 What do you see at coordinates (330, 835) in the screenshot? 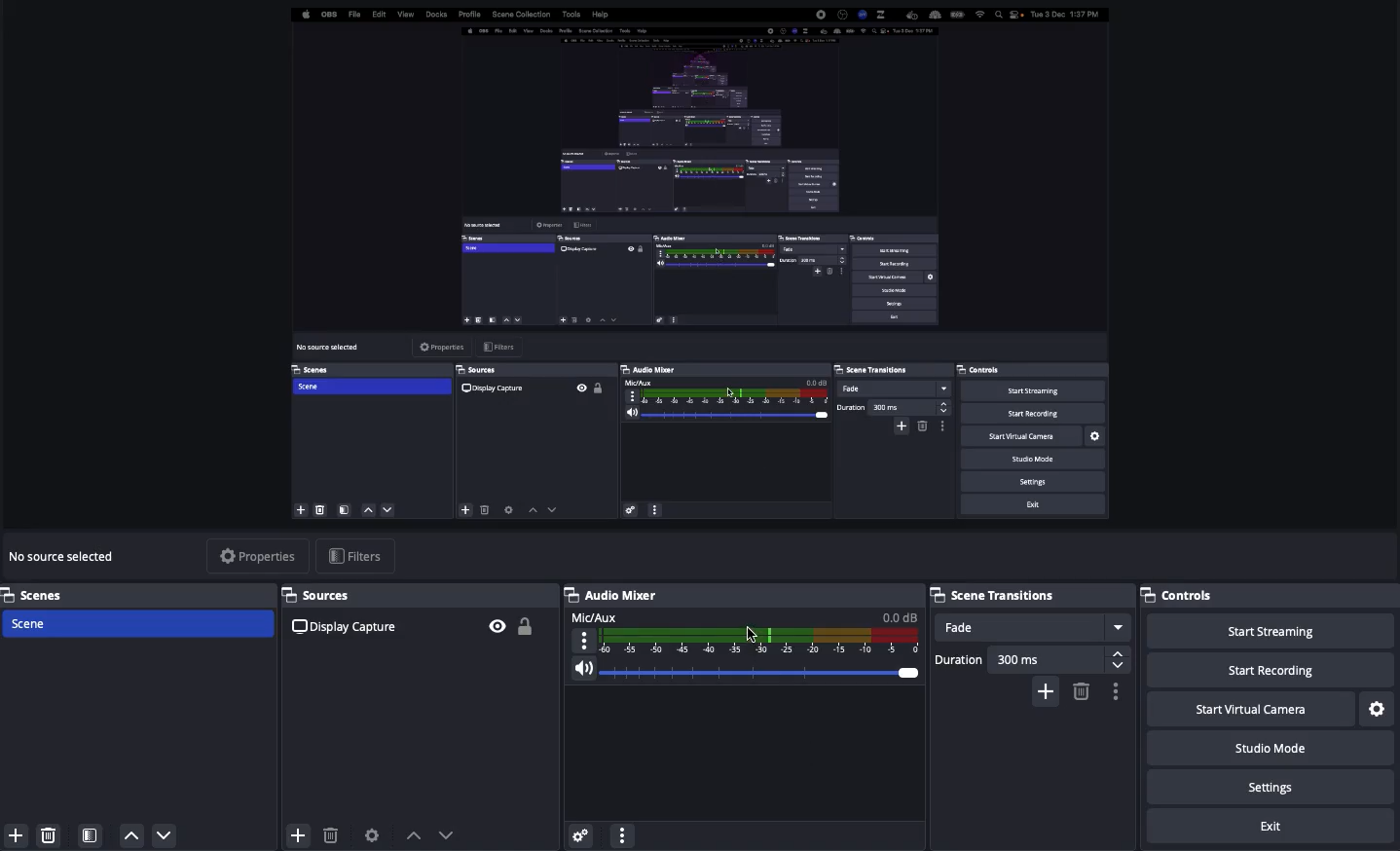
I see `Delete` at bounding box center [330, 835].